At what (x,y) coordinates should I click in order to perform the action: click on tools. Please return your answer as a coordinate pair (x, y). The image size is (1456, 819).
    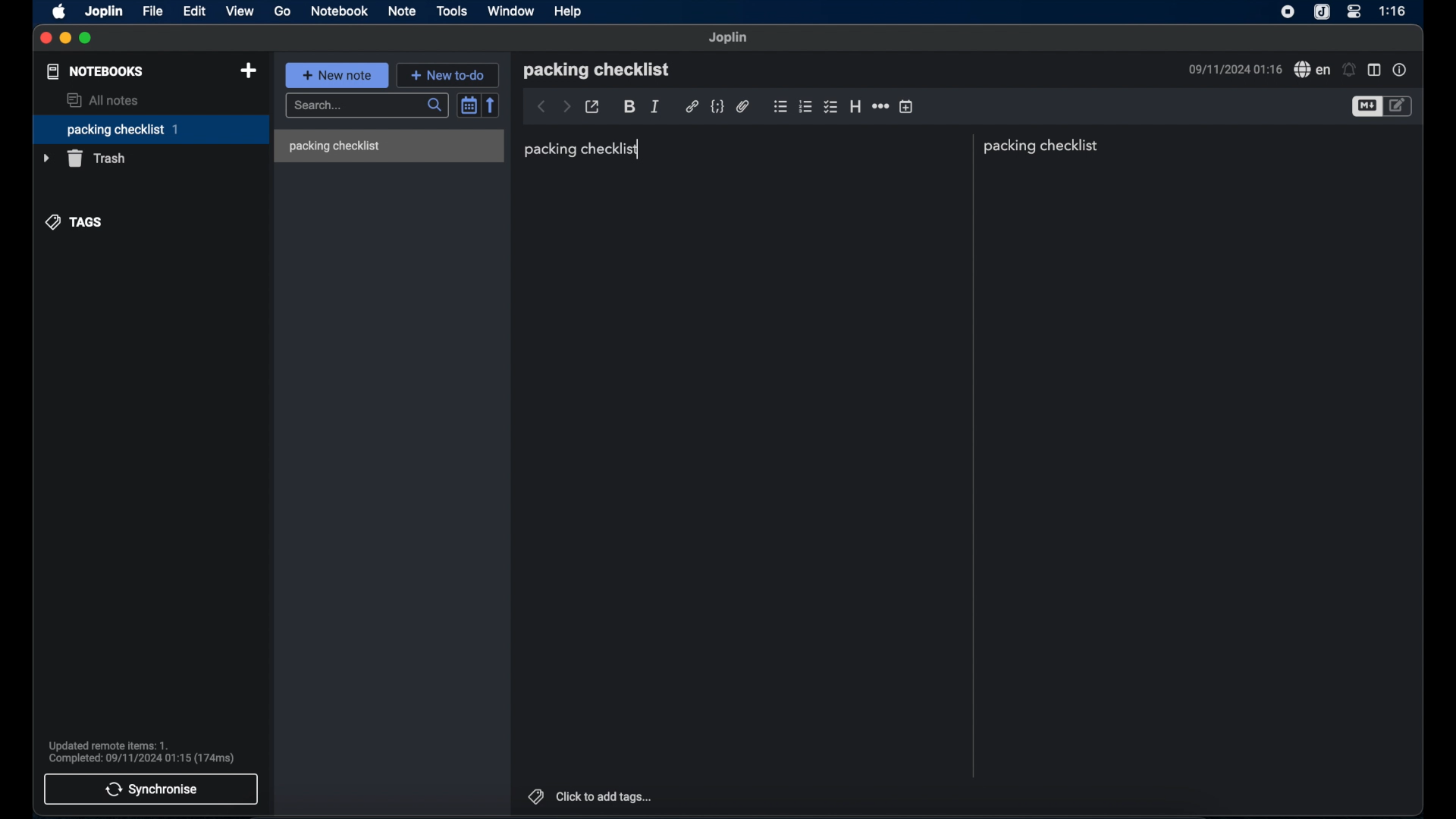
    Looking at the image, I should click on (453, 11).